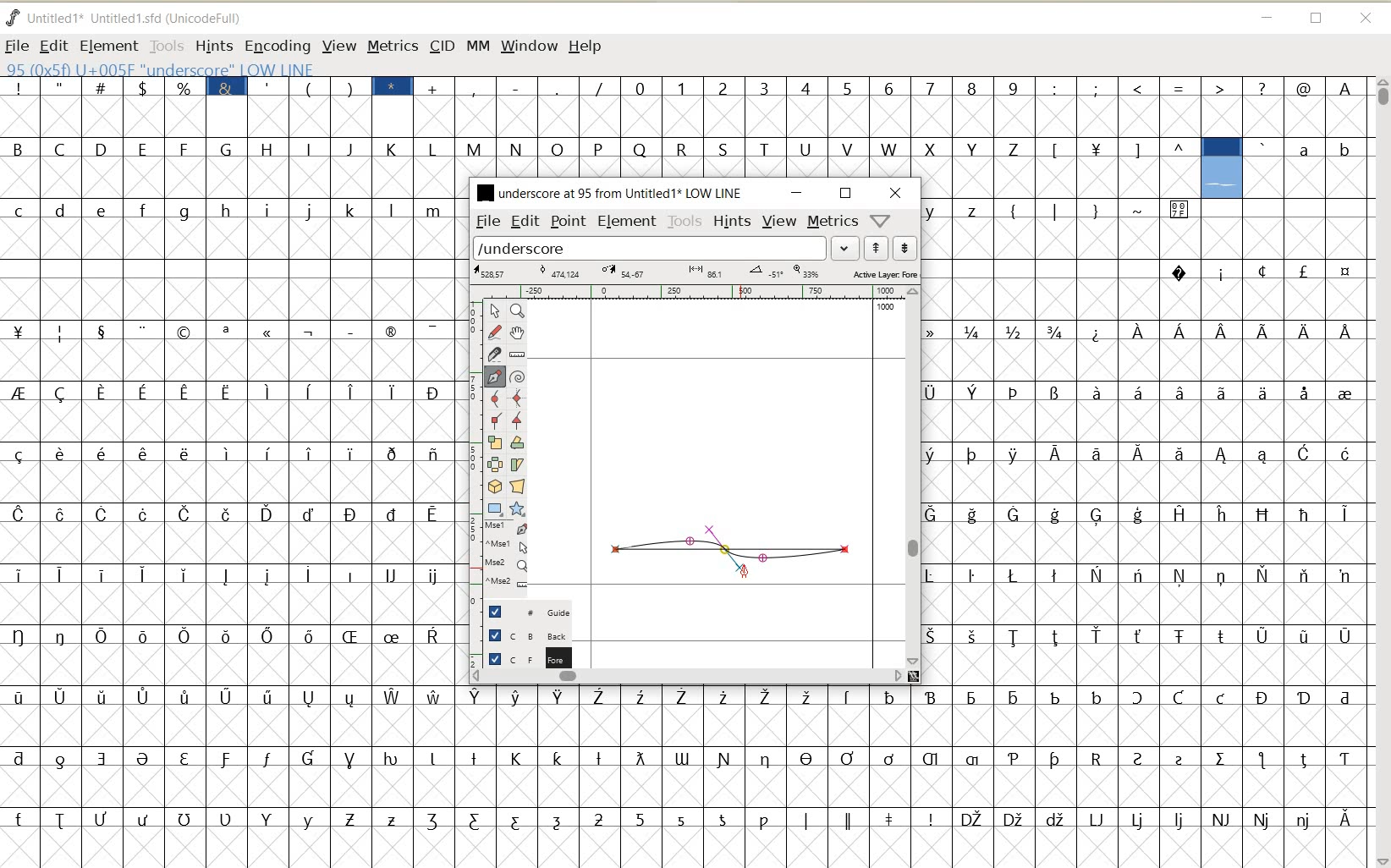 The height and width of the screenshot is (868, 1391). Describe the element at coordinates (442, 47) in the screenshot. I see `CID` at that location.